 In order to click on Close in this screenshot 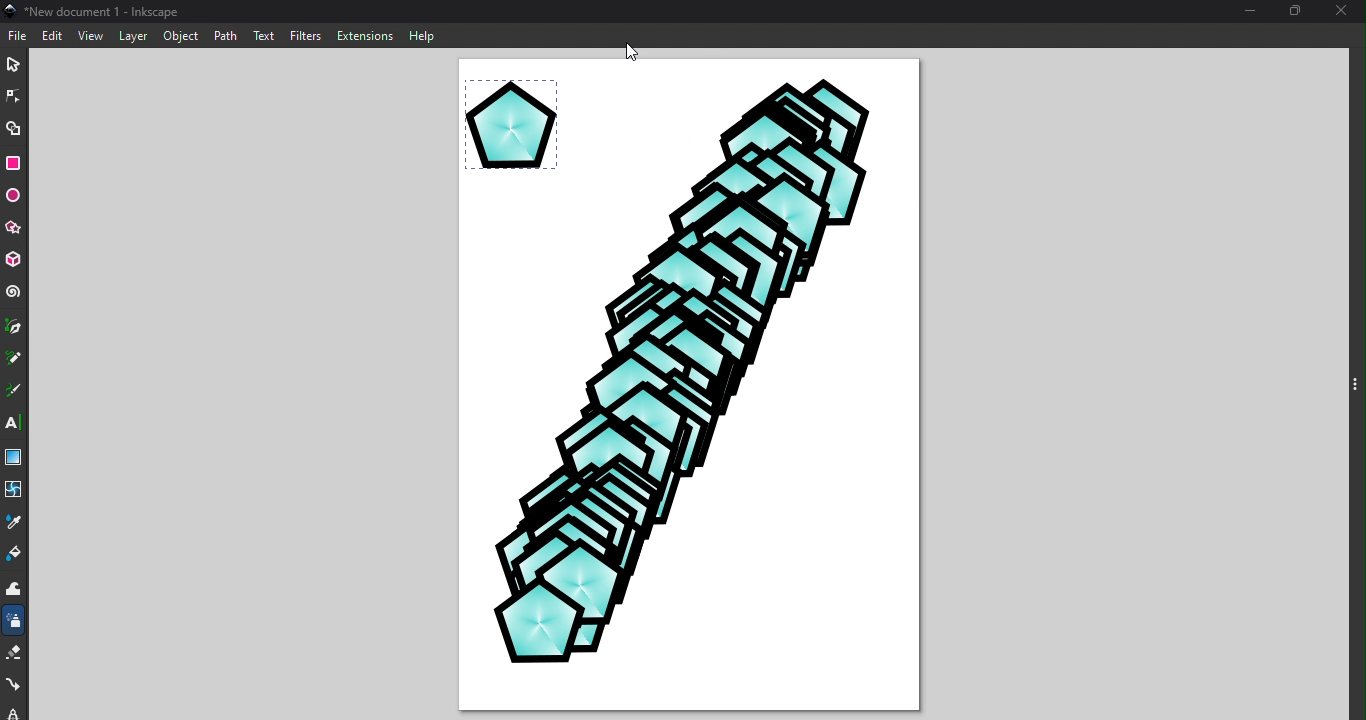, I will do `click(1345, 11)`.